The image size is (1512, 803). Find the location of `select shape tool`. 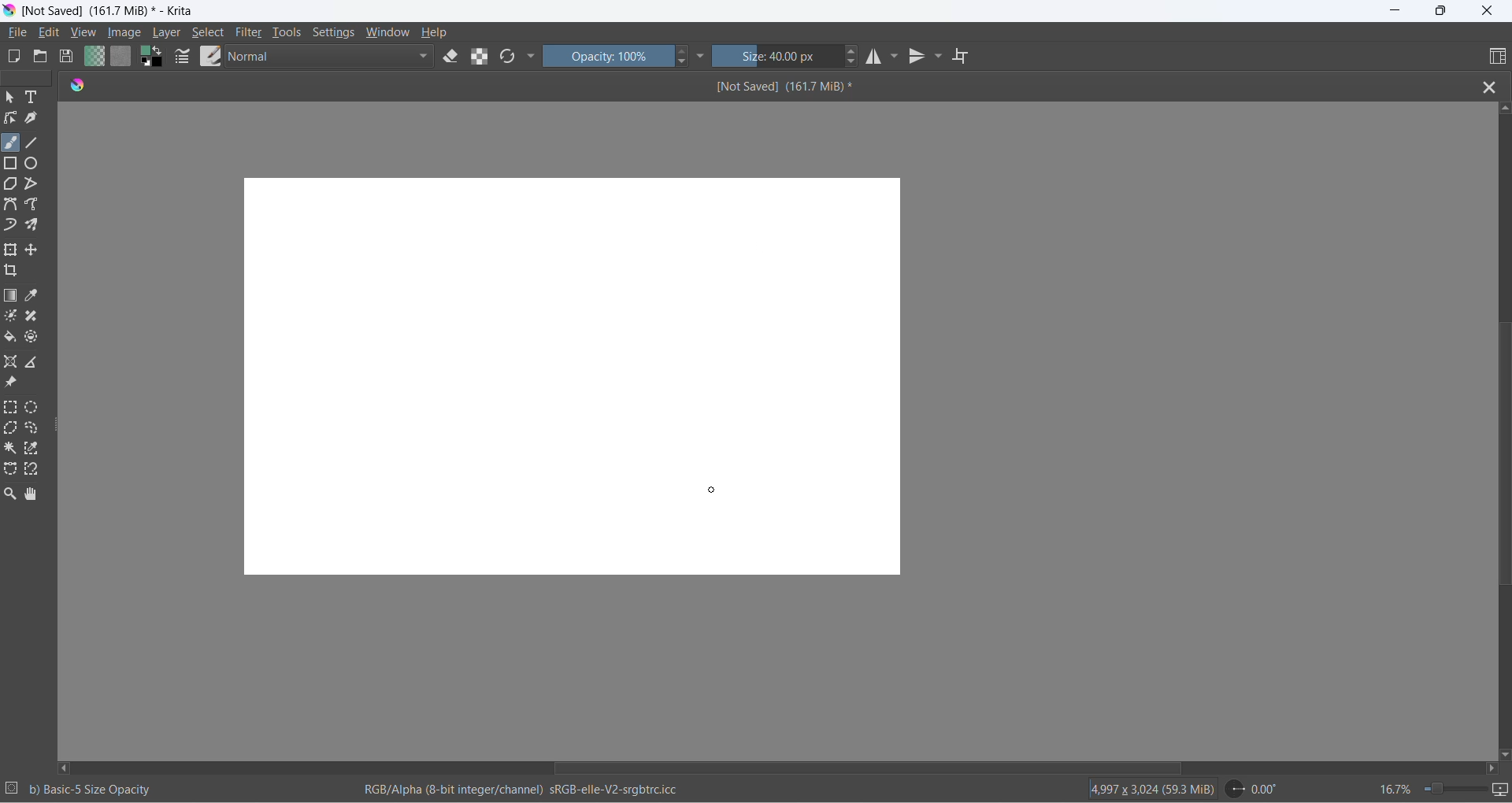

select shape tool is located at coordinates (10, 98).